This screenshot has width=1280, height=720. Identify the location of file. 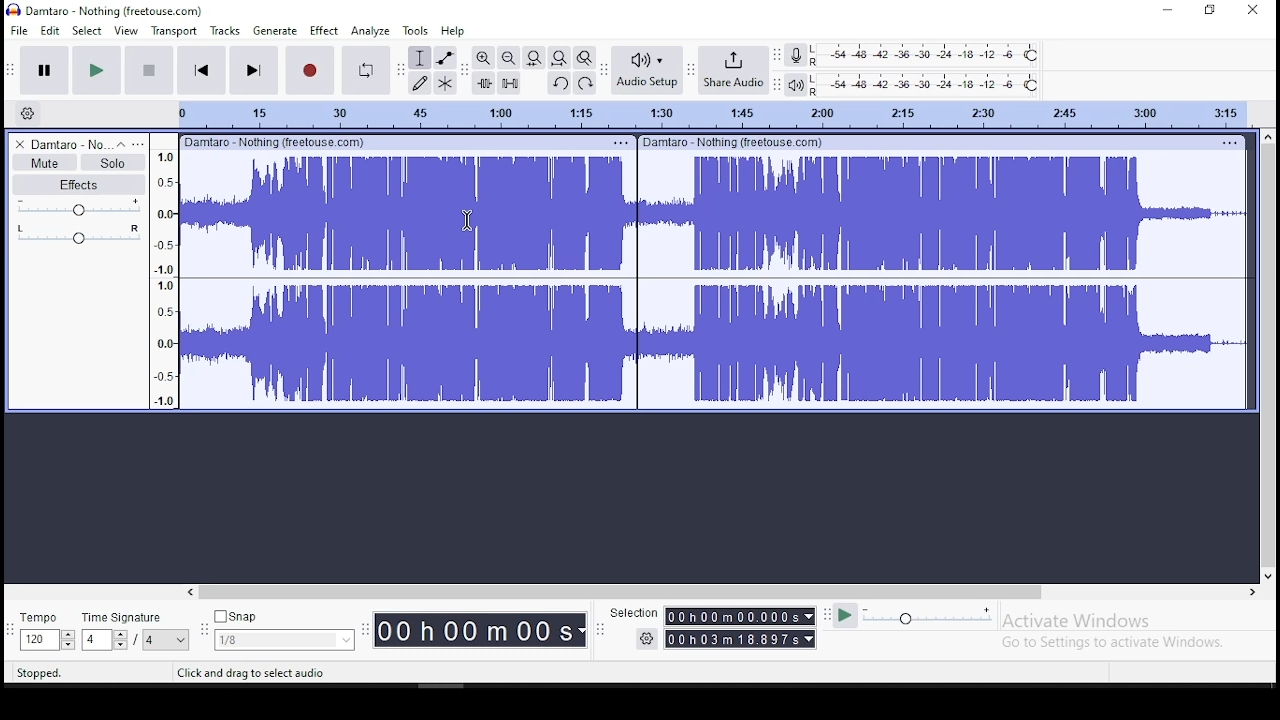
(18, 29).